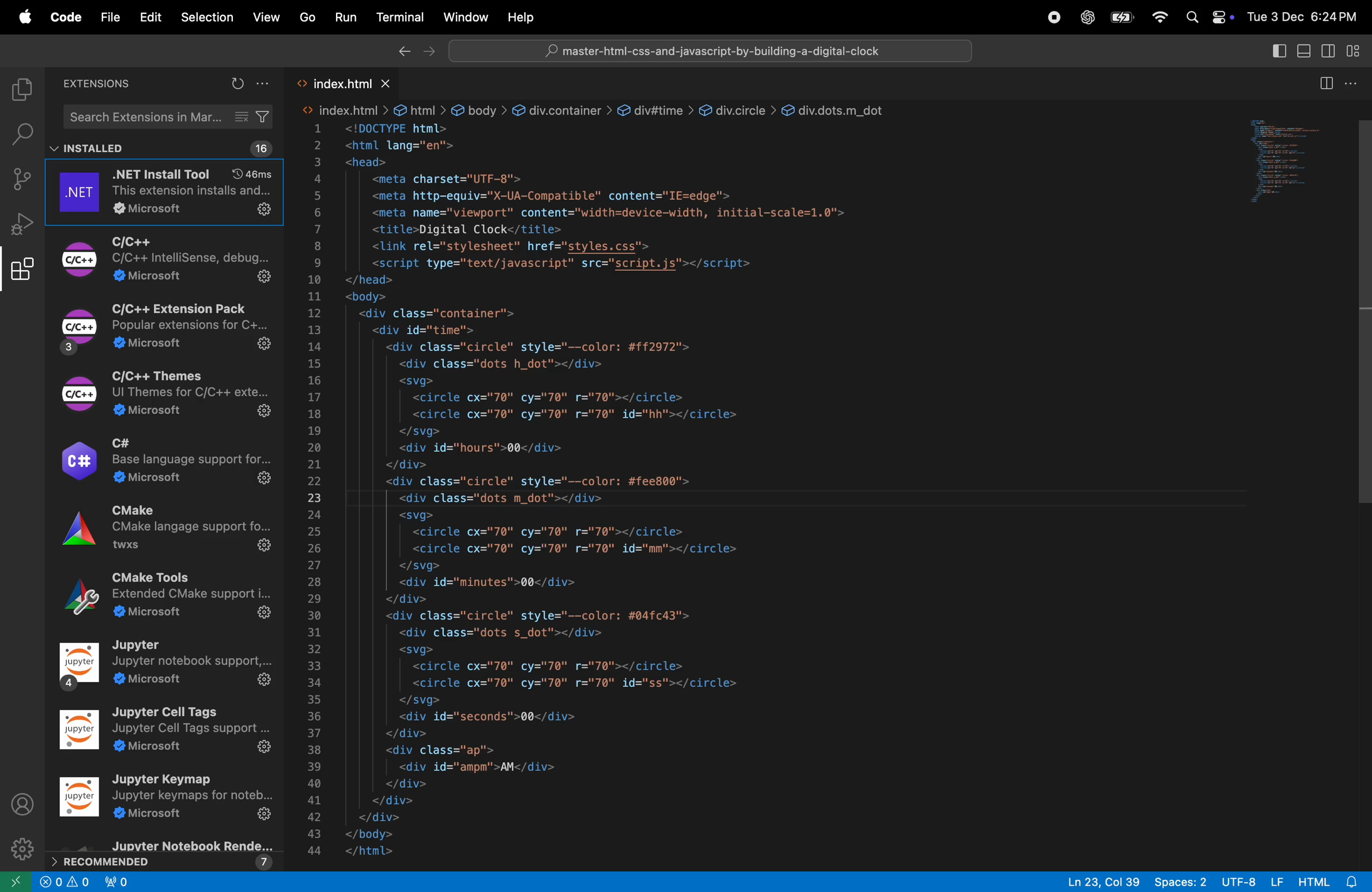  Describe the element at coordinates (1124, 18) in the screenshot. I see `apple menu` at that location.